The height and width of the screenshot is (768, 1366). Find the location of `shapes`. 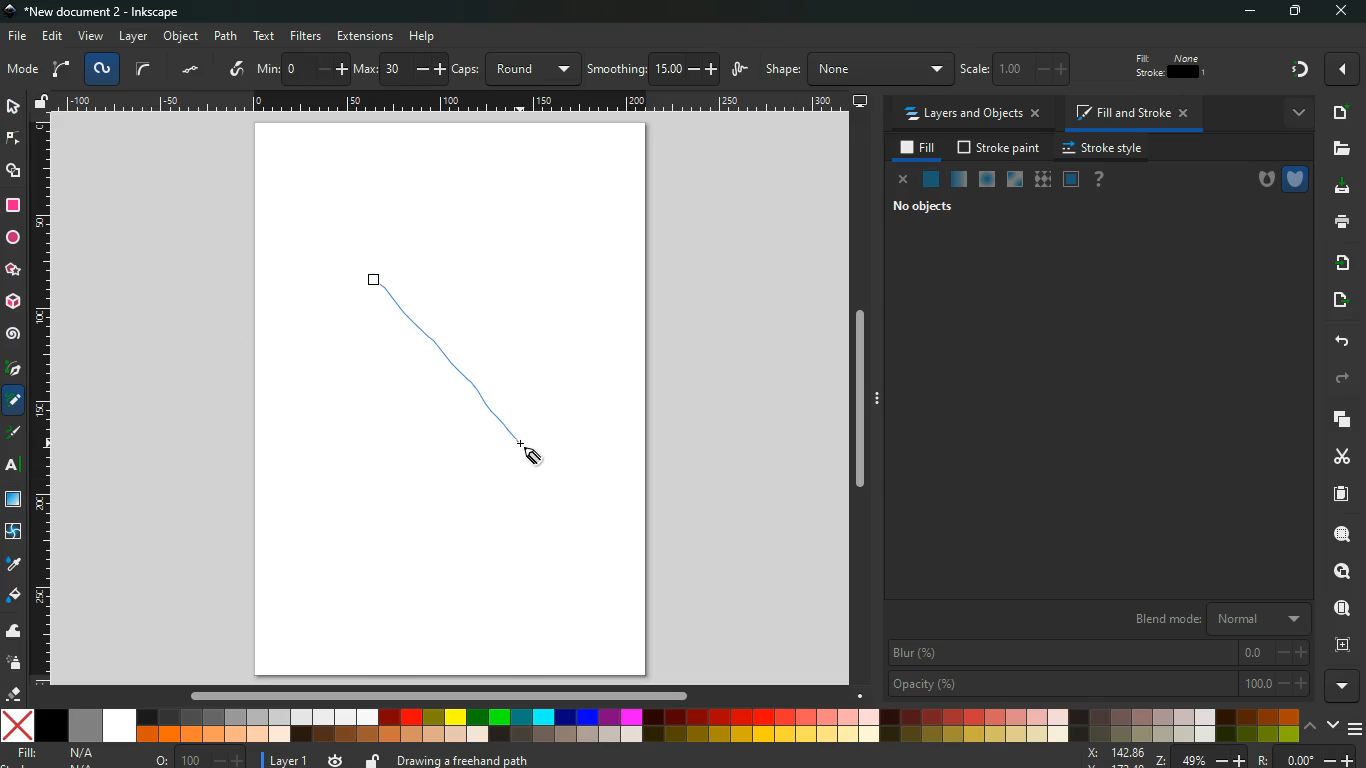

shapes is located at coordinates (15, 173).